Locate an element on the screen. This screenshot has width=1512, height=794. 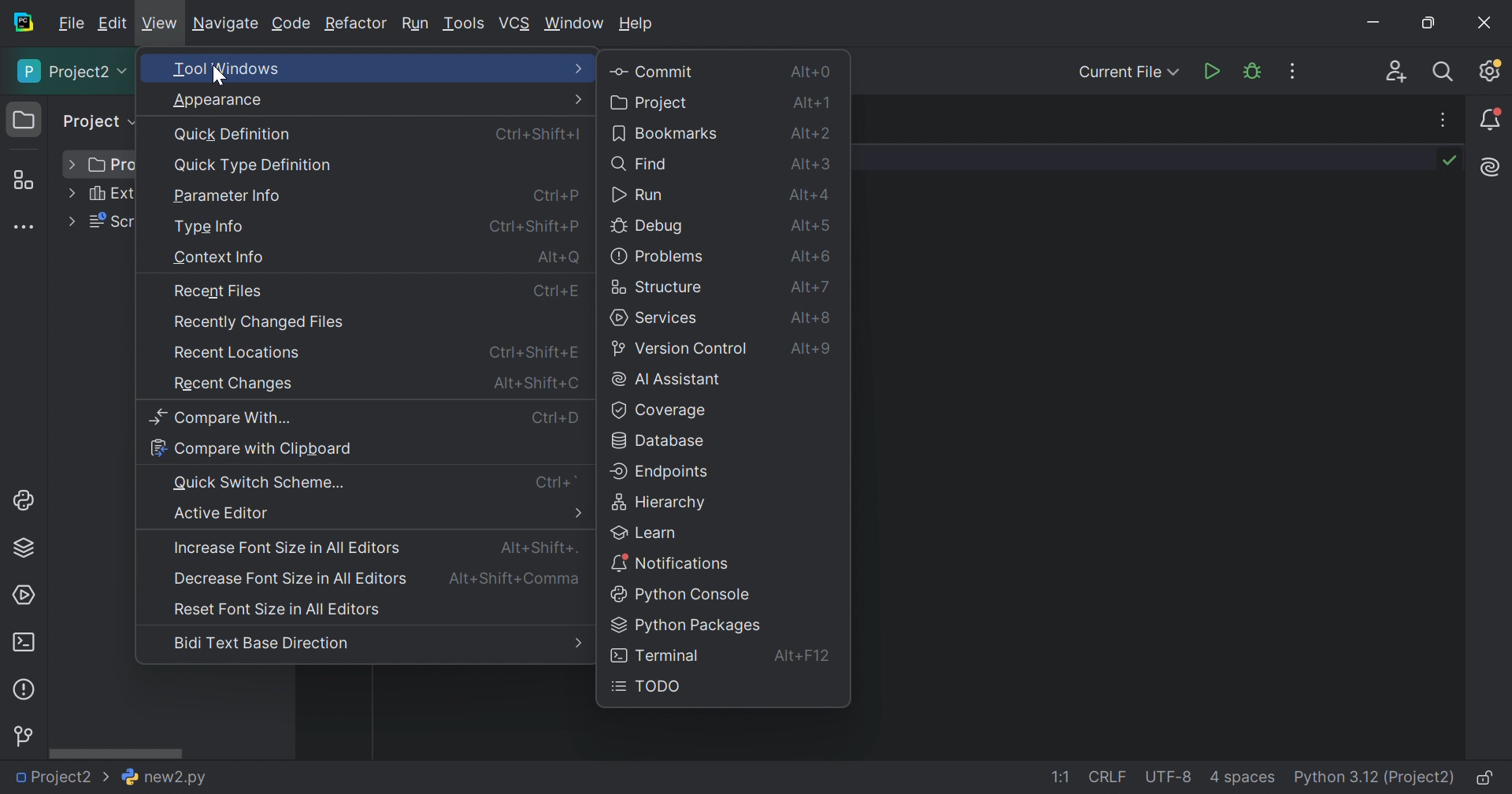
Alt+6 is located at coordinates (813, 286).